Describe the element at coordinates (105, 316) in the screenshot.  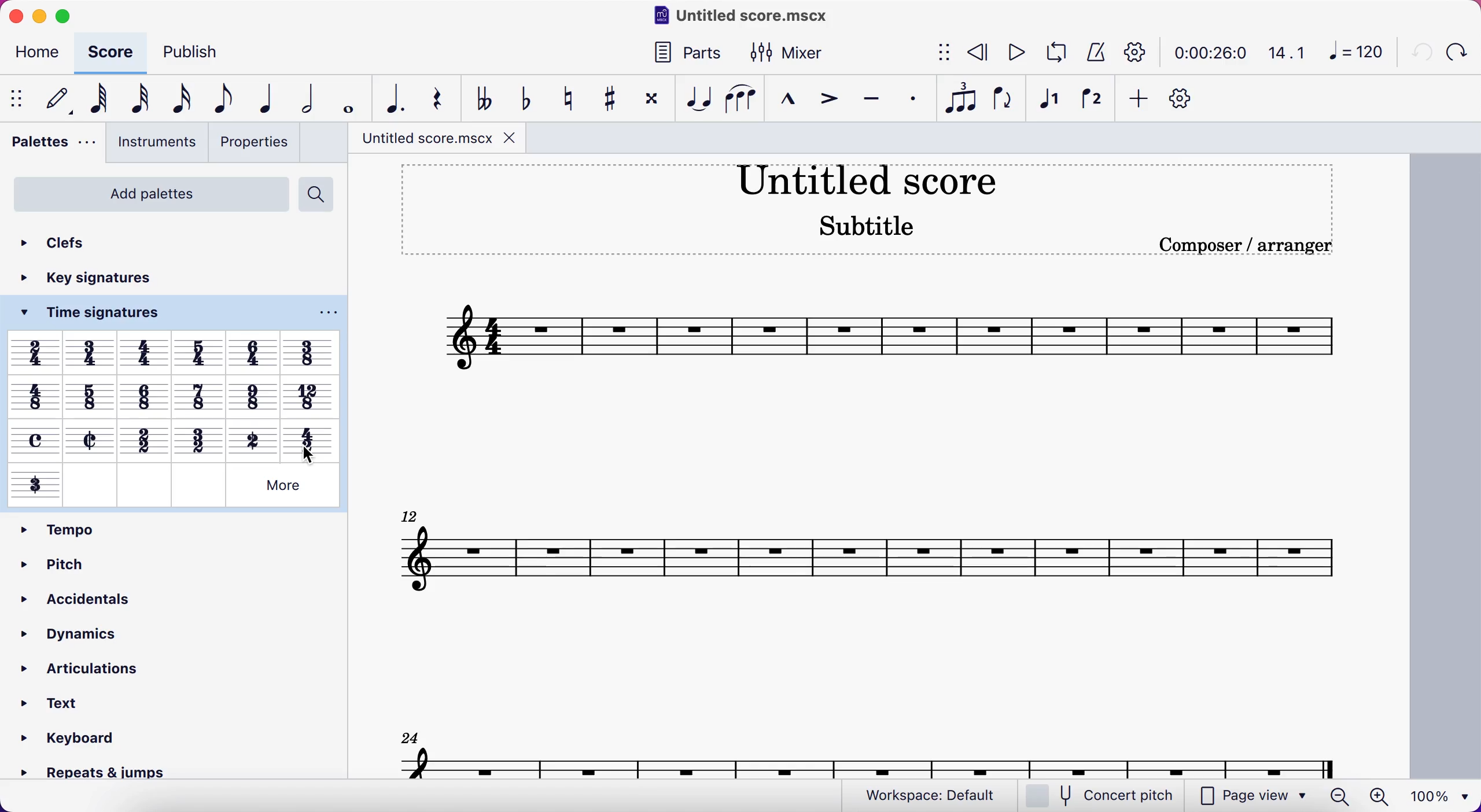
I see `time signatures` at that location.